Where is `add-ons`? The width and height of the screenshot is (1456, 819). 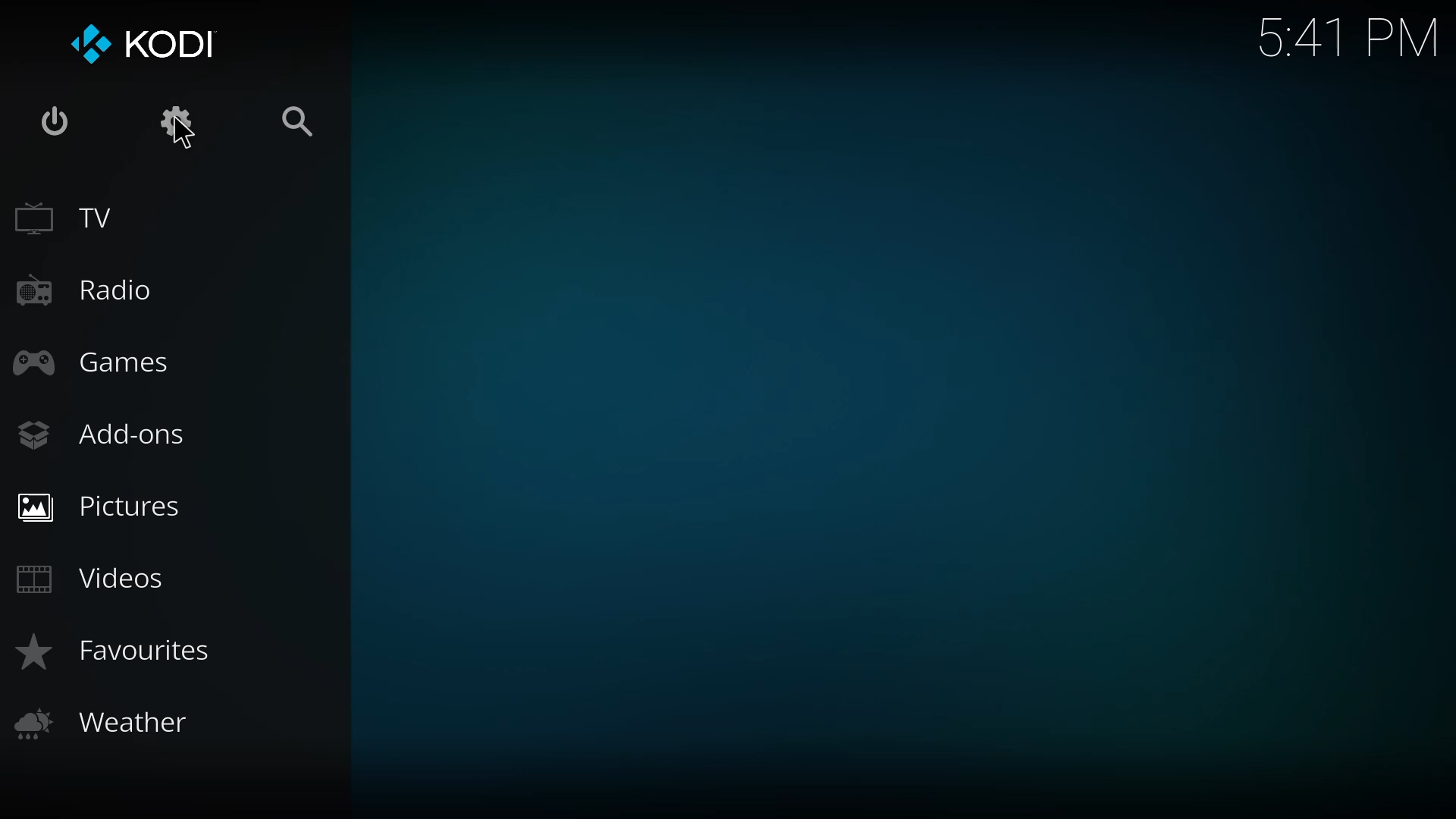 add-ons is located at coordinates (112, 435).